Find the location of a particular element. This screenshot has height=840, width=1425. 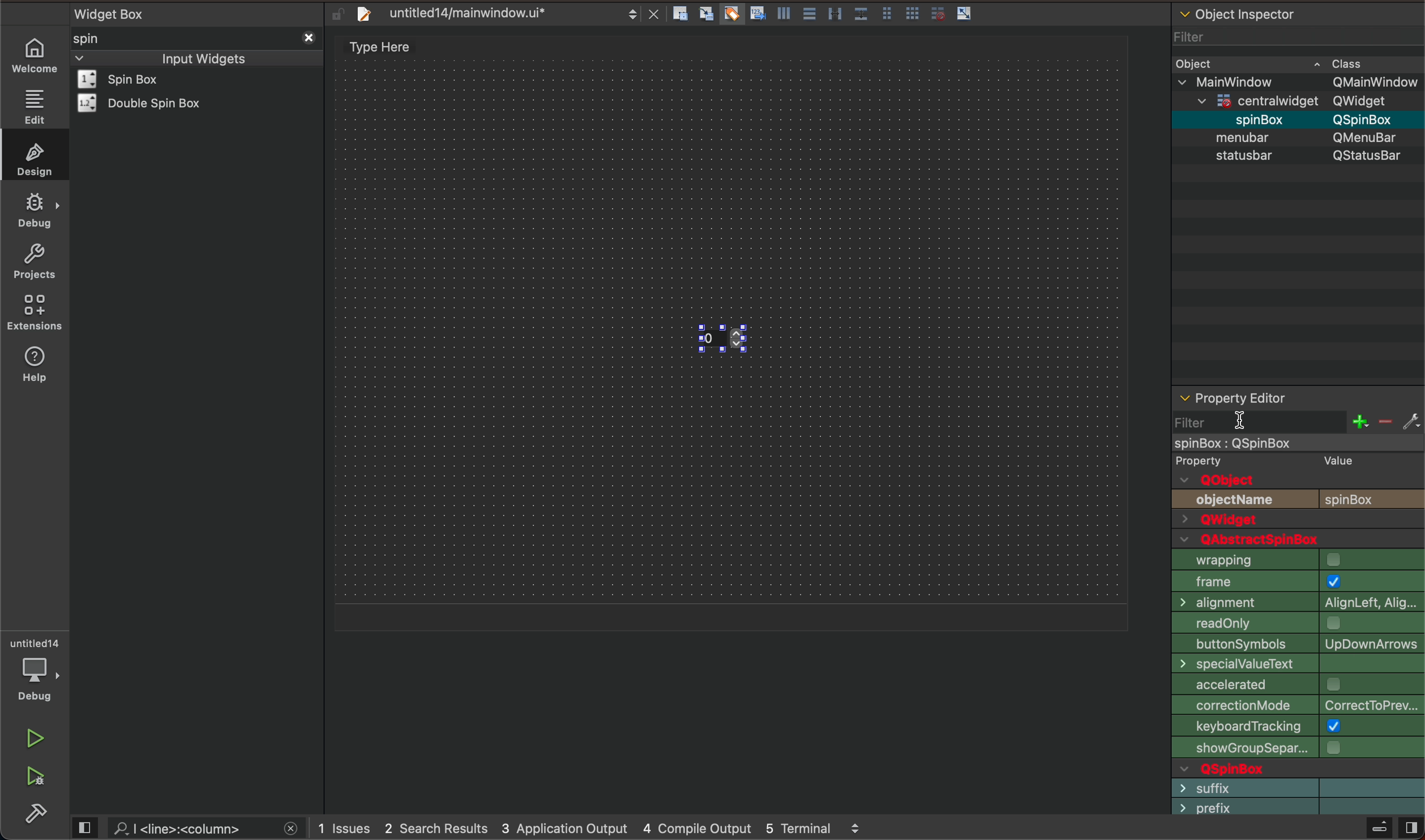

editor is located at coordinates (1233, 398).